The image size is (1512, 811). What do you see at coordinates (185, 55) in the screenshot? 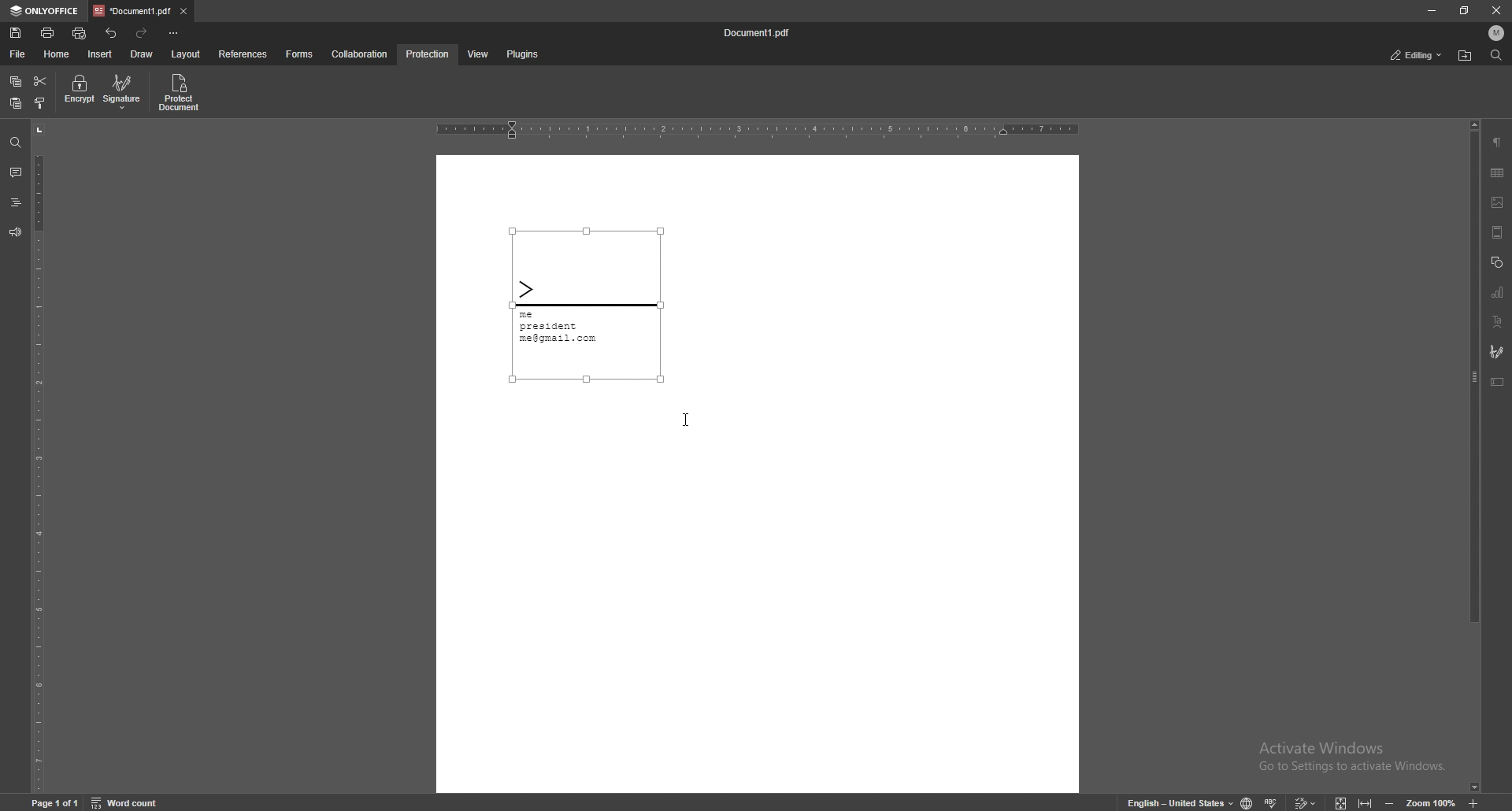
I see `layout` at bounding box center [185, 55].